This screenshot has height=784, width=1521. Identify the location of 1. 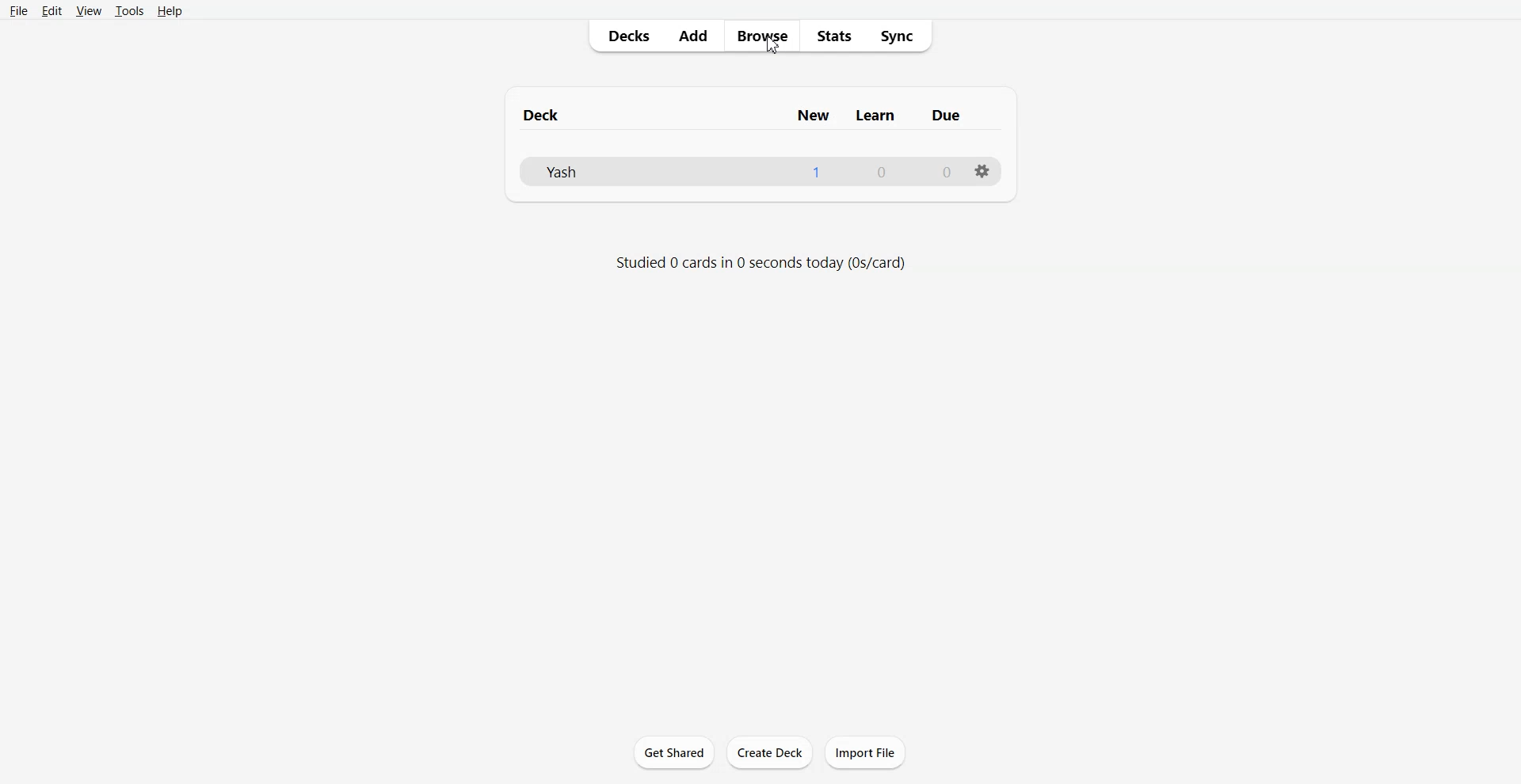
(826, 172).